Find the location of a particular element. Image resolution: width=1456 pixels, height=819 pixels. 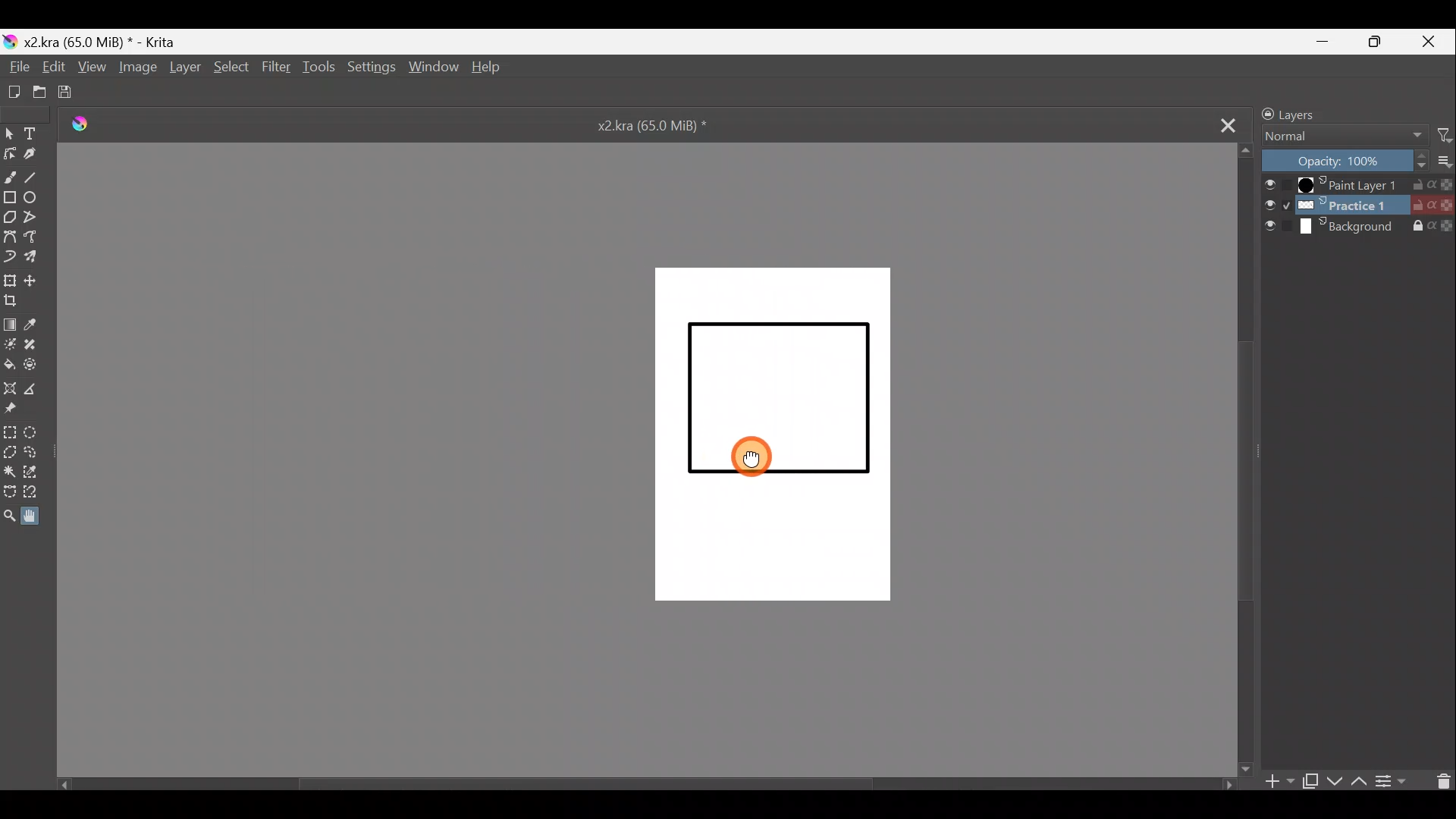

Move a layer is located at coordinates (33, 280).